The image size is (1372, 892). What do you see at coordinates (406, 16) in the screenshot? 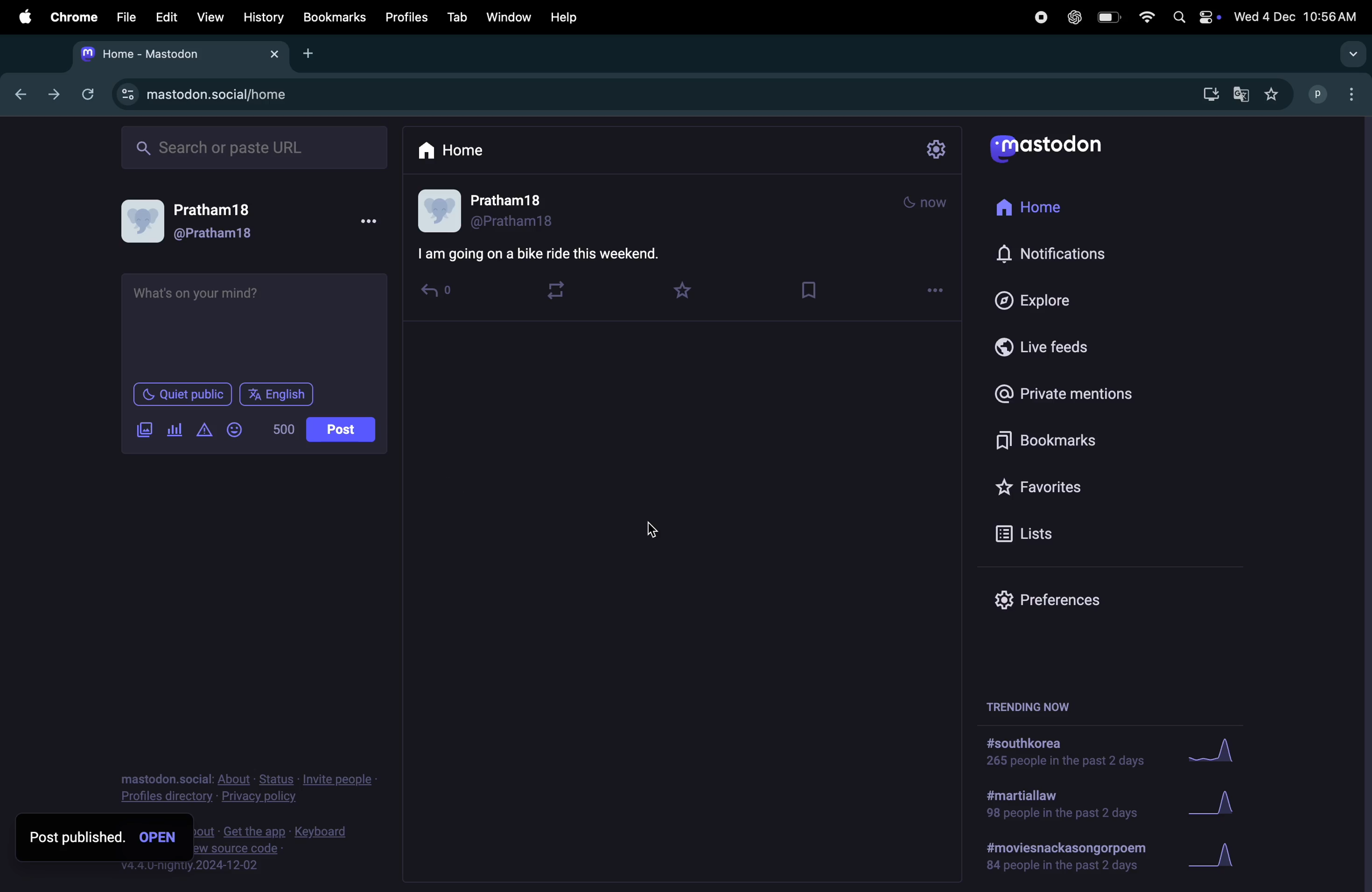
I see `Profiles` at bounding box center [406, 16].